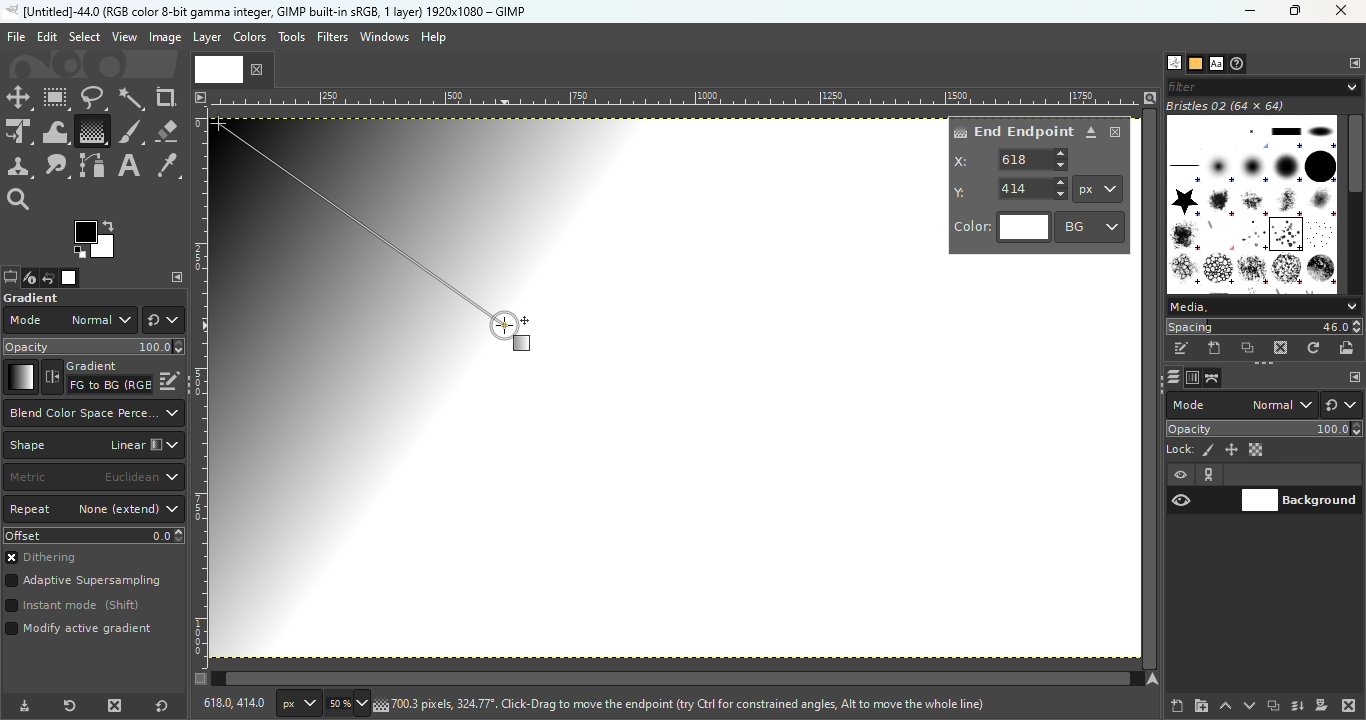 The height and width of the screenshot is (720, 1366). What do you see at coordinates (1264, 327) in the screenshot?
I see `Spacing` at bounding box center [1264, 327].